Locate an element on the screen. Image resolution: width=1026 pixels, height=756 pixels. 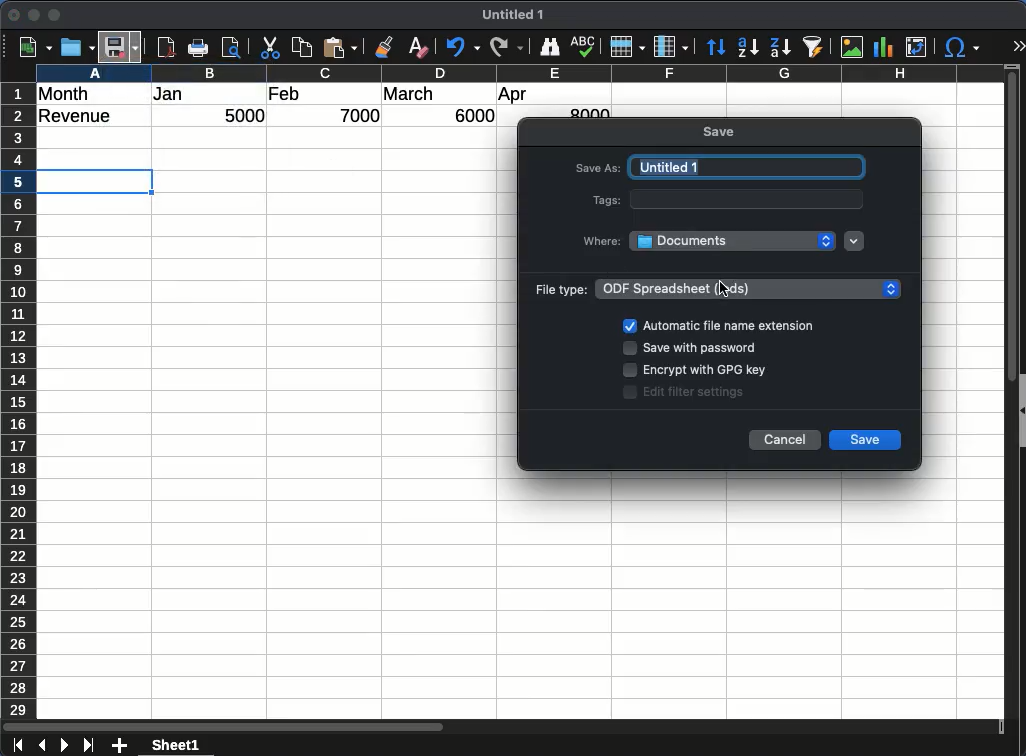
special characters is located at coordinates (962, 48).